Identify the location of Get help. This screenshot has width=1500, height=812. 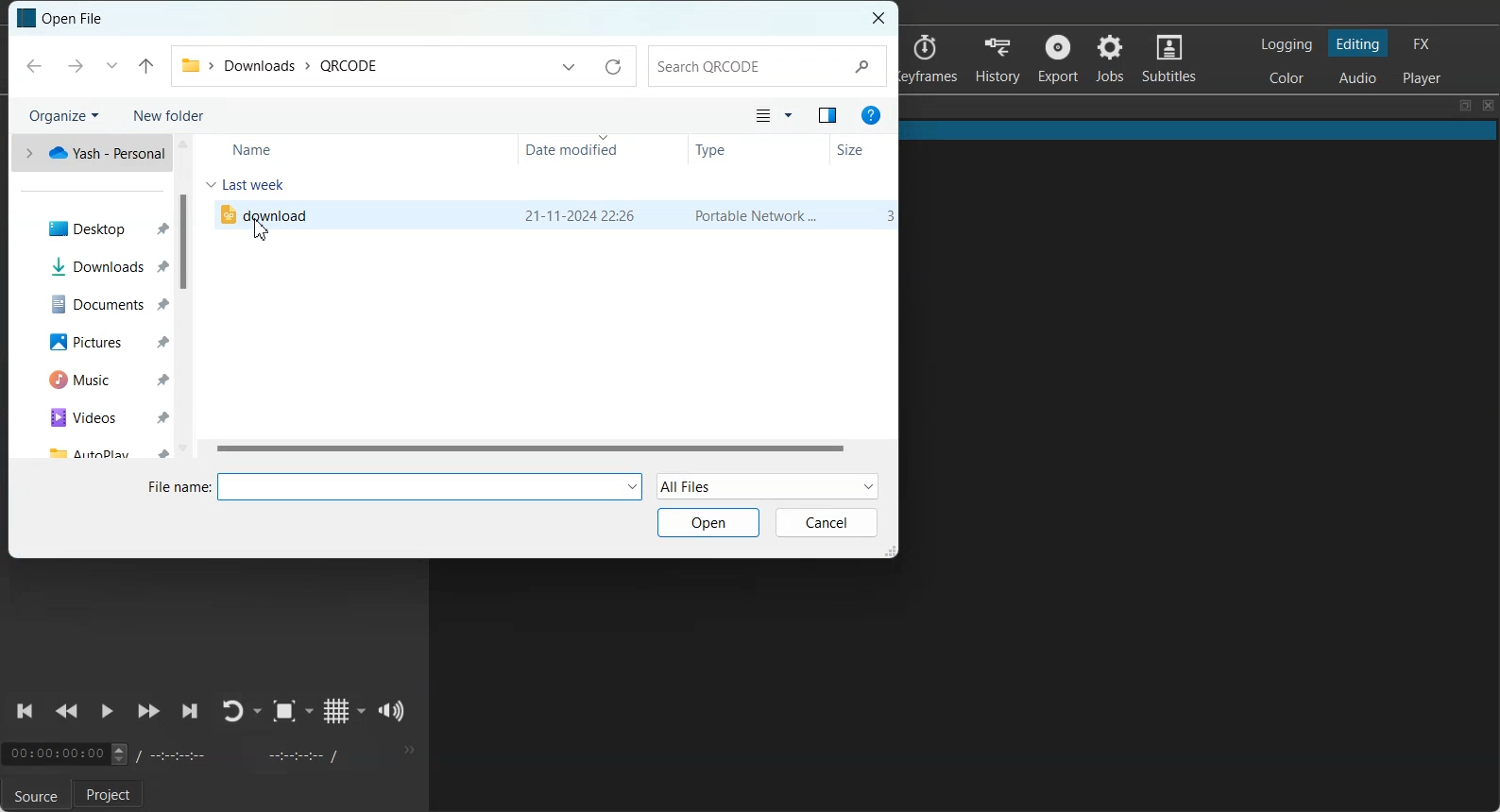
(871, 115).